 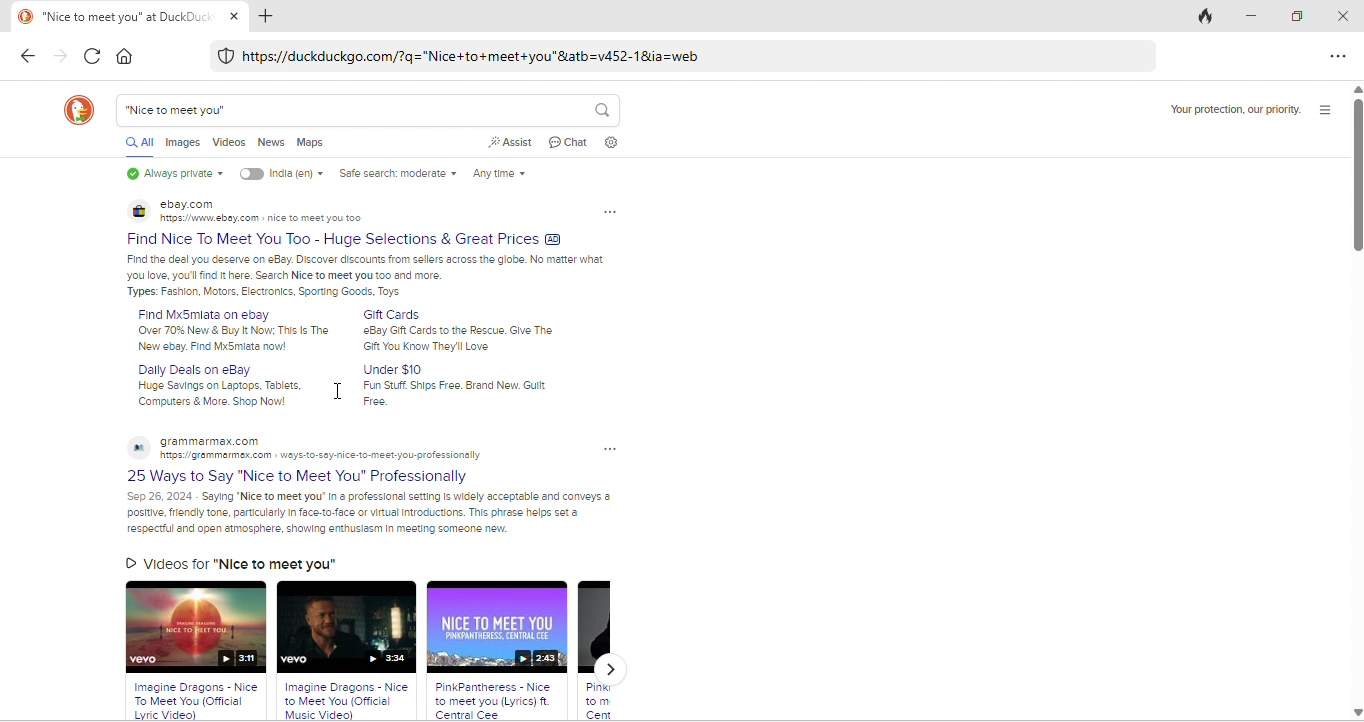 I want to click on text, so click(x=395, y=368).